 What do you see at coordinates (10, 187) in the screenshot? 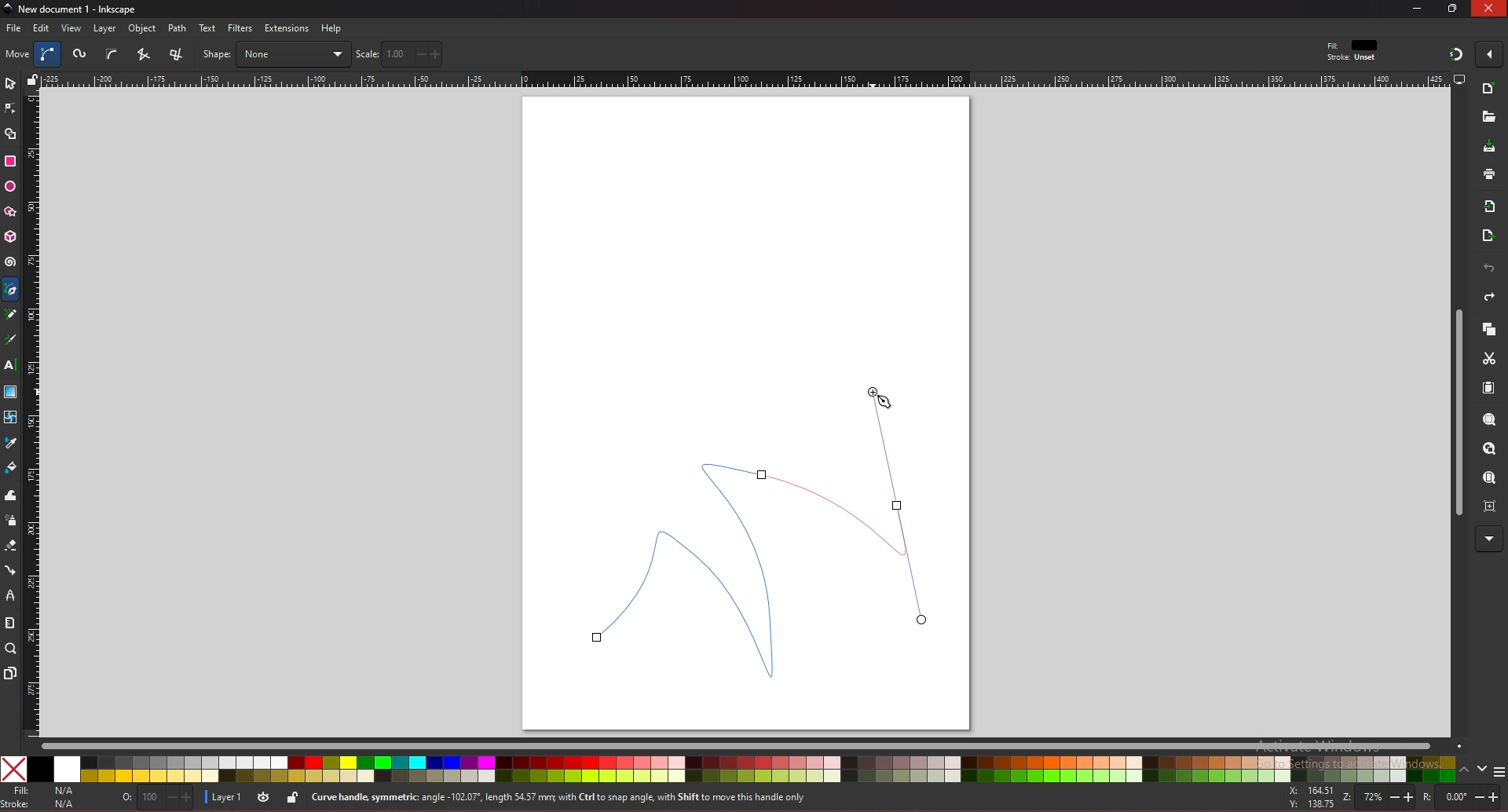
I see `ellipse` at bounding box center [10, 187].